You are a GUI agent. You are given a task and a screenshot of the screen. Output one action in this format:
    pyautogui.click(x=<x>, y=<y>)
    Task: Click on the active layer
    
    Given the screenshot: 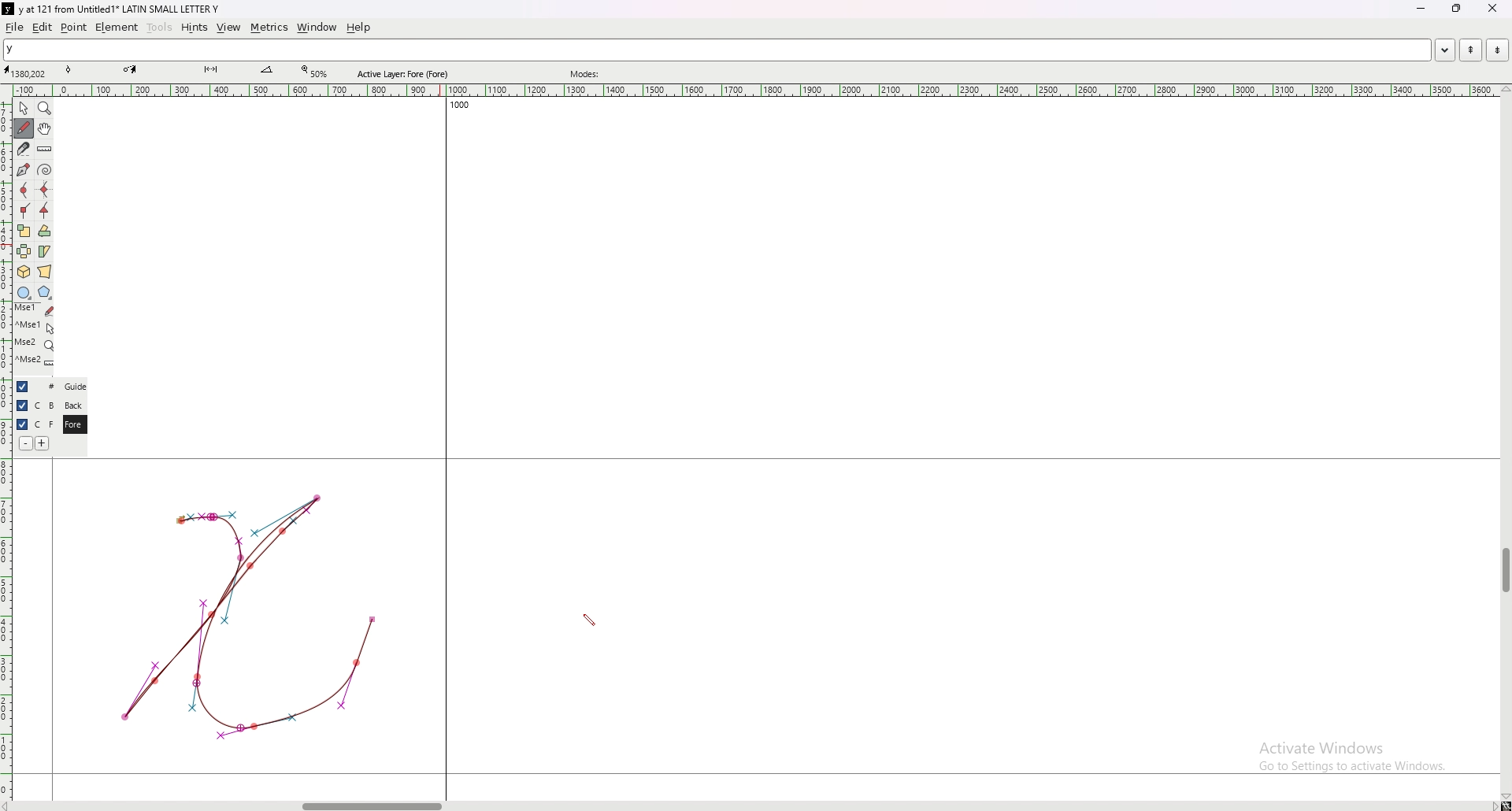 What is the action you would take?
    pyautogui.click(x=406, y=74)
    